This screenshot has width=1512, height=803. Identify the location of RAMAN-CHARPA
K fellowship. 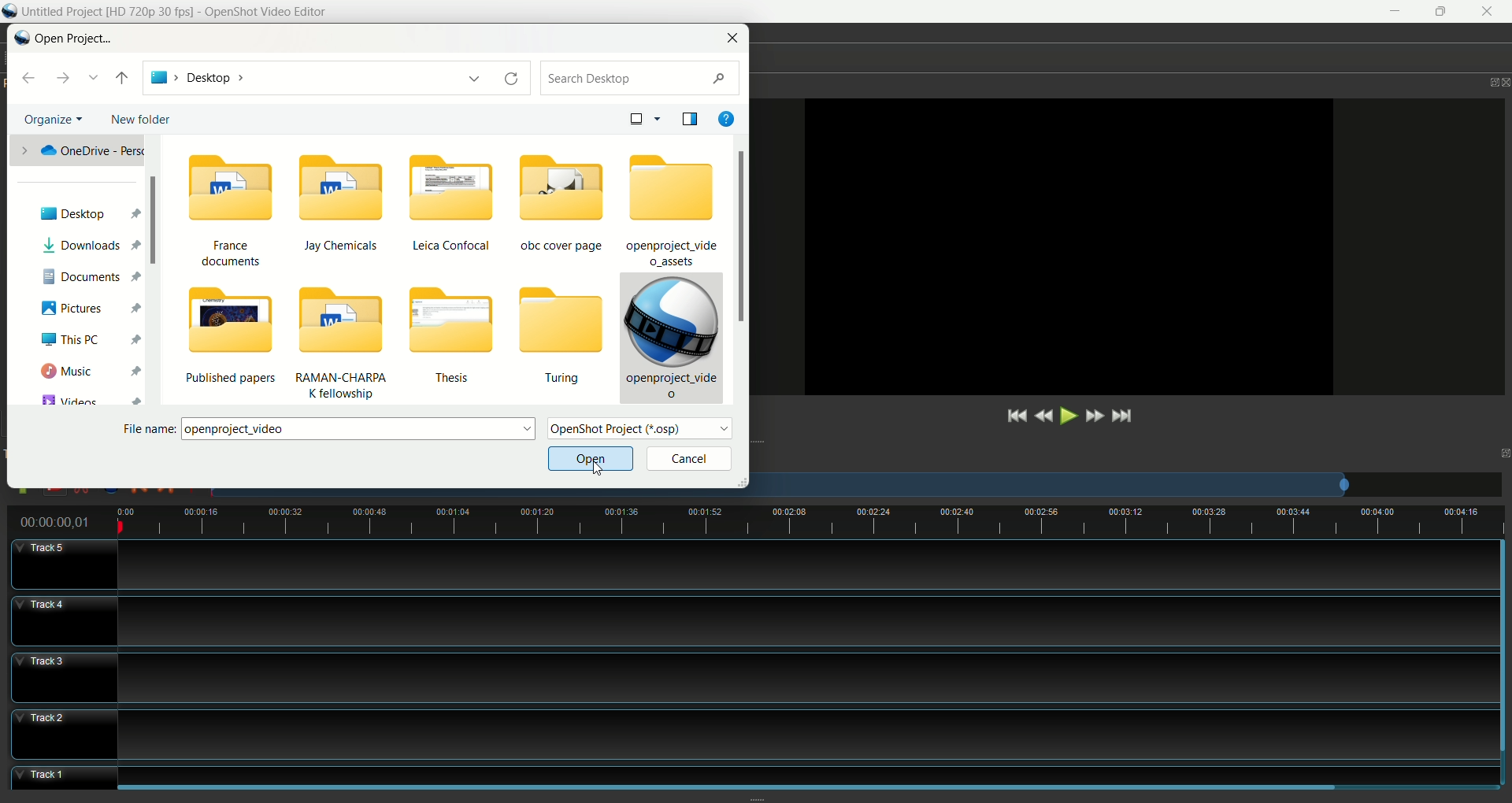
(351, 347).